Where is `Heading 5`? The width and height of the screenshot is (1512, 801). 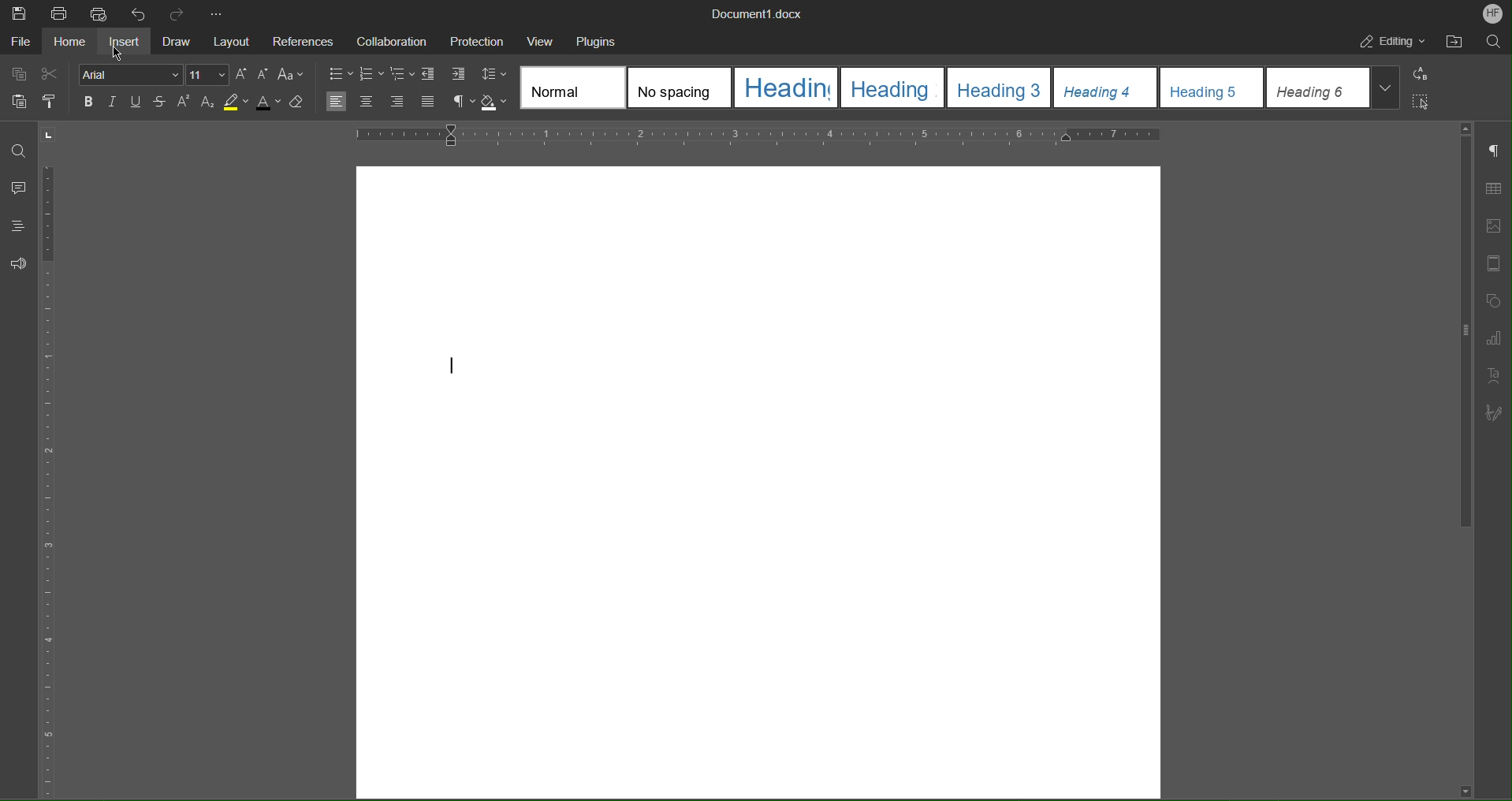 Heading 5 is located at coordinates (1212, 88).